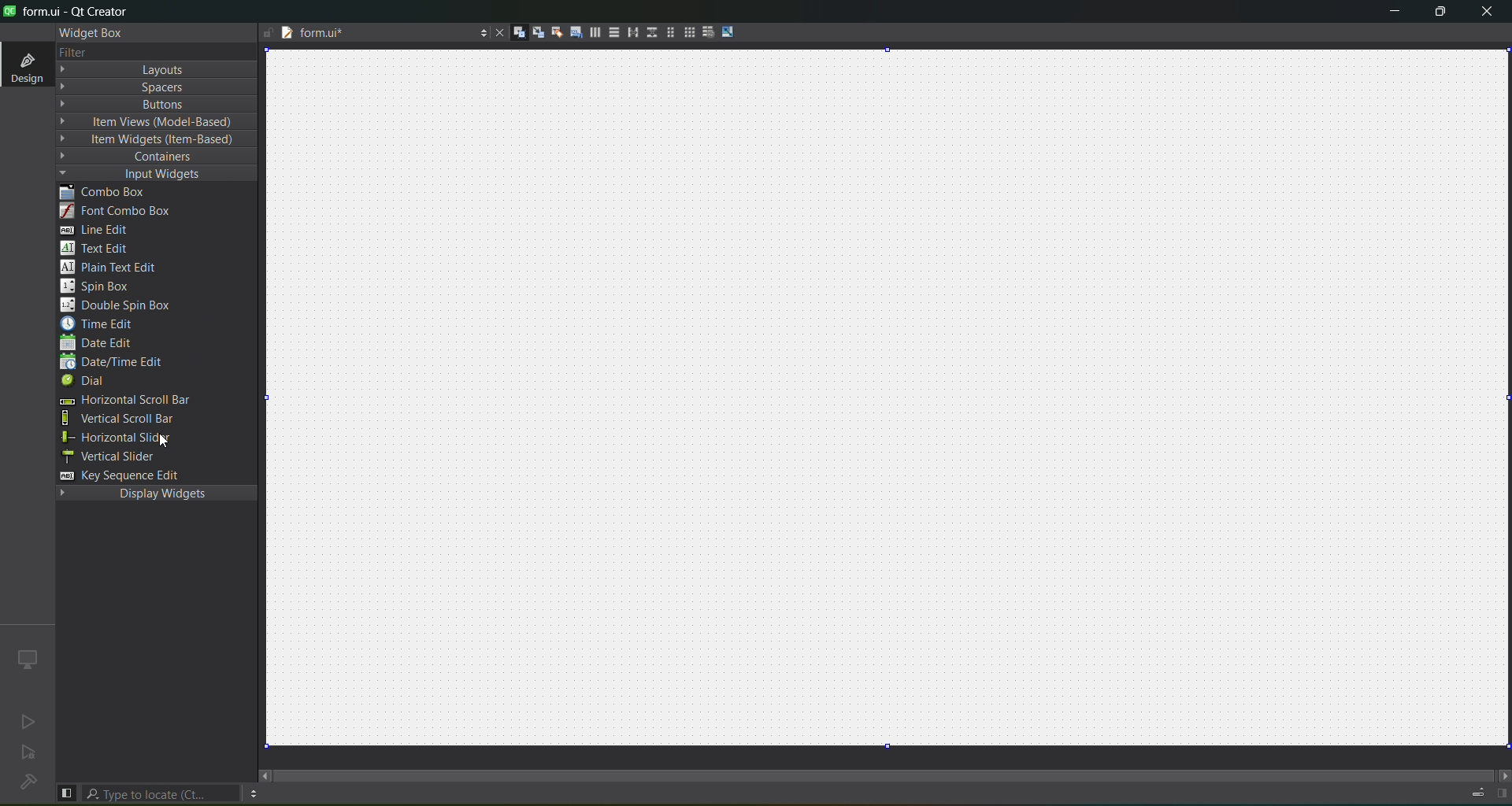  I want to click on buddies, so click(551, 33).